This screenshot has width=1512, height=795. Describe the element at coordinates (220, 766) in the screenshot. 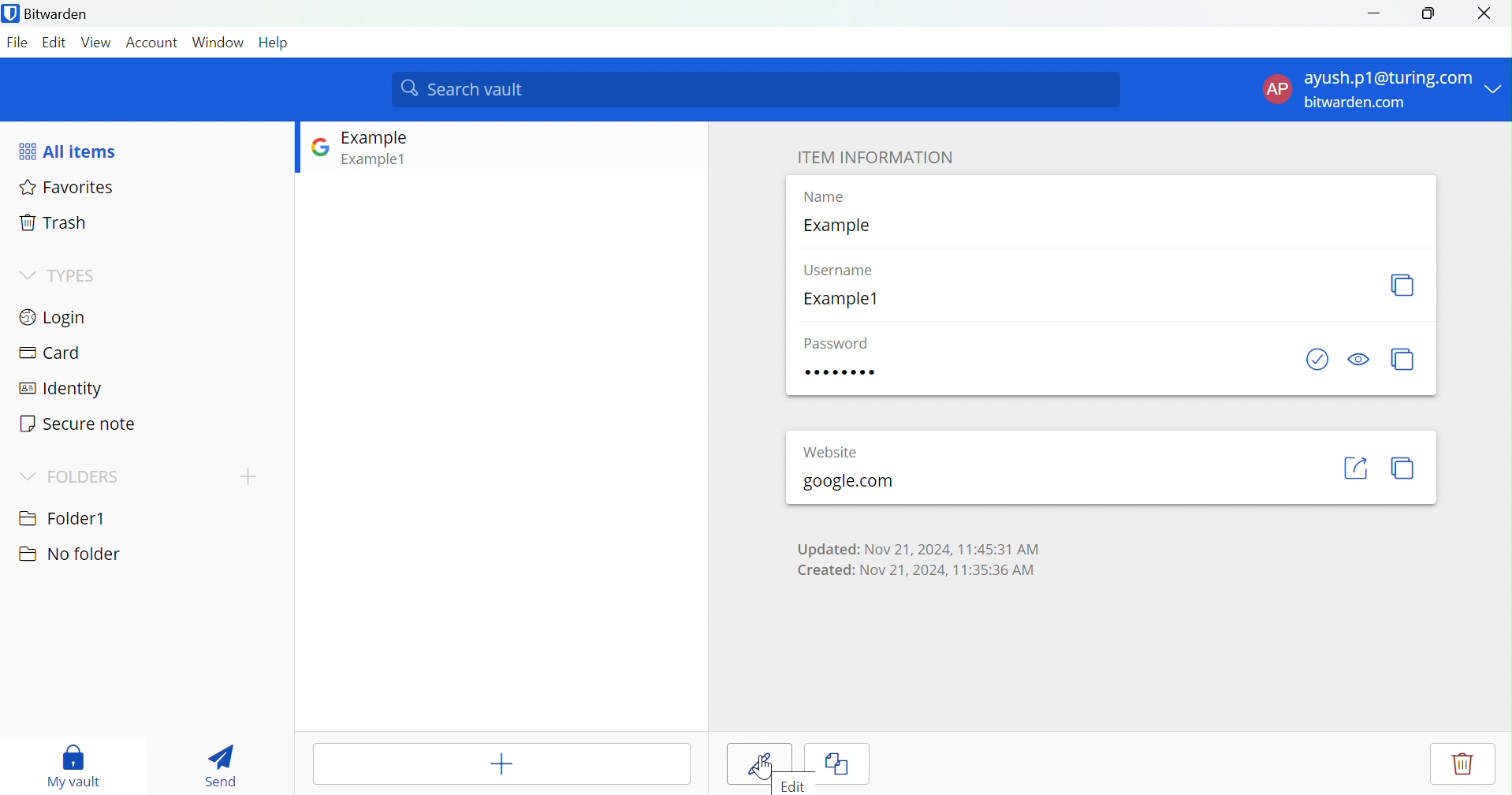

I see `Send` at that location.